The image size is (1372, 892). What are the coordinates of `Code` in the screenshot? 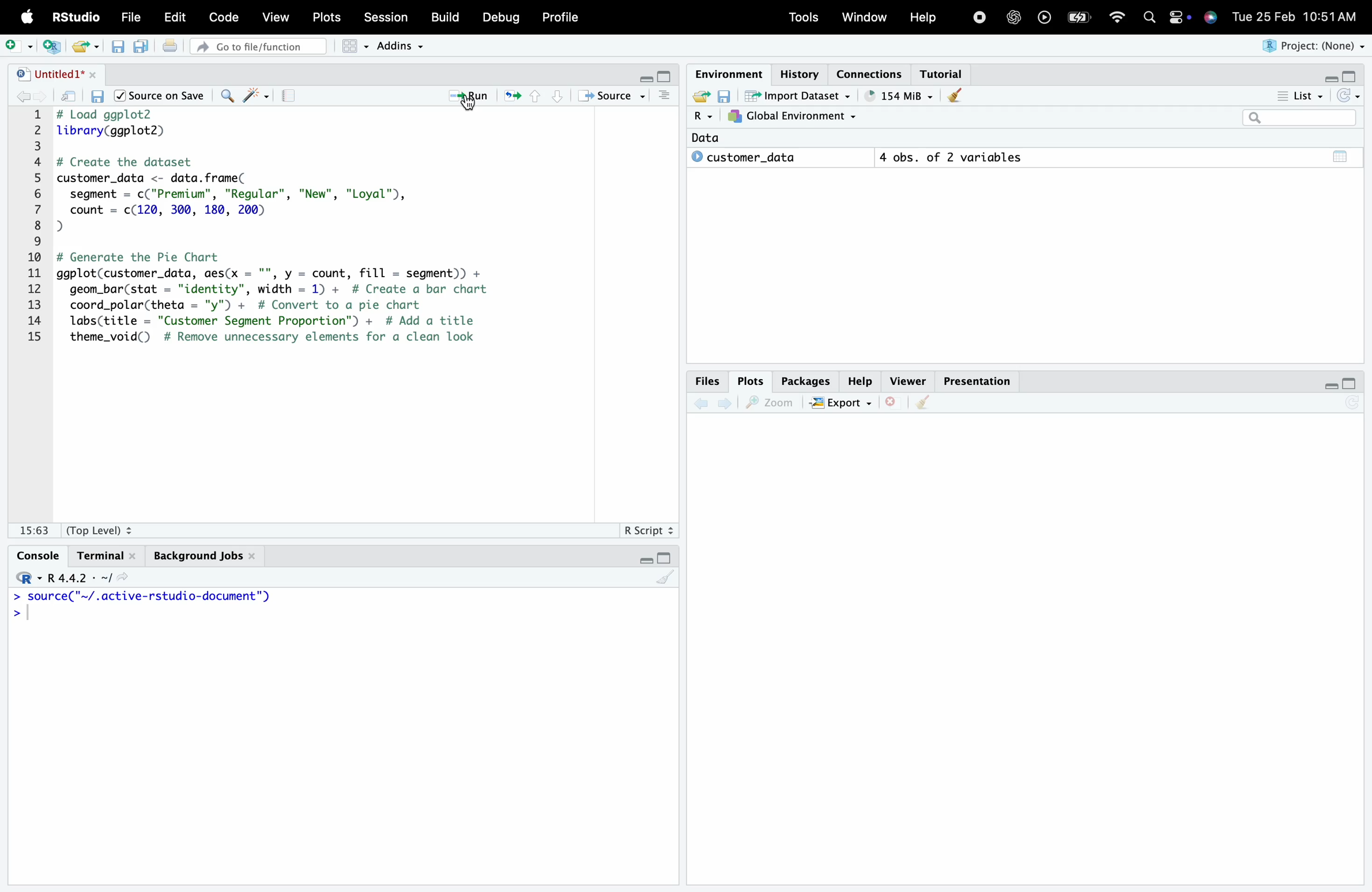 It's located at (227, 17).